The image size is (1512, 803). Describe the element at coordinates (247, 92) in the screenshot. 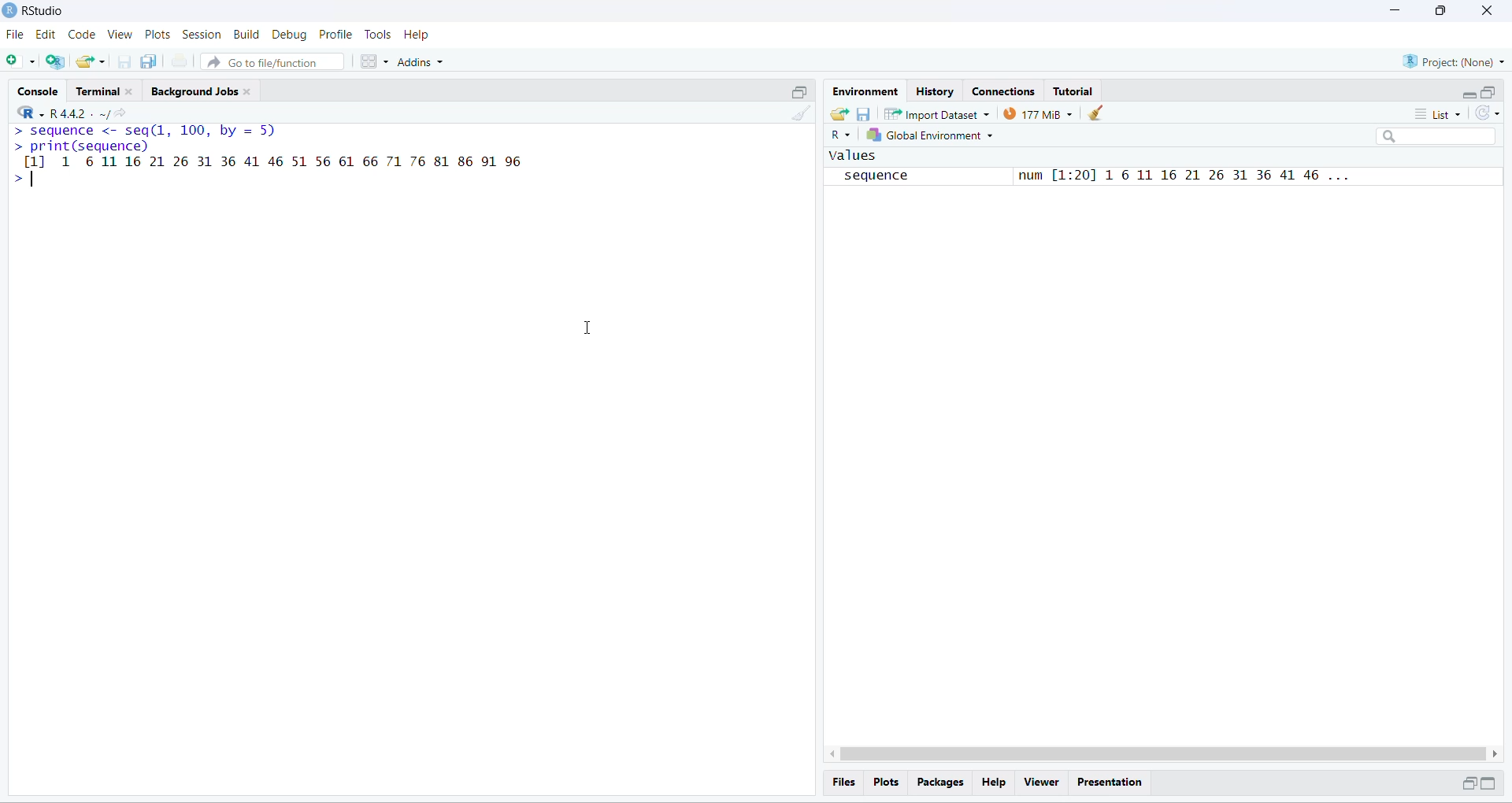

I see `close` at that location.